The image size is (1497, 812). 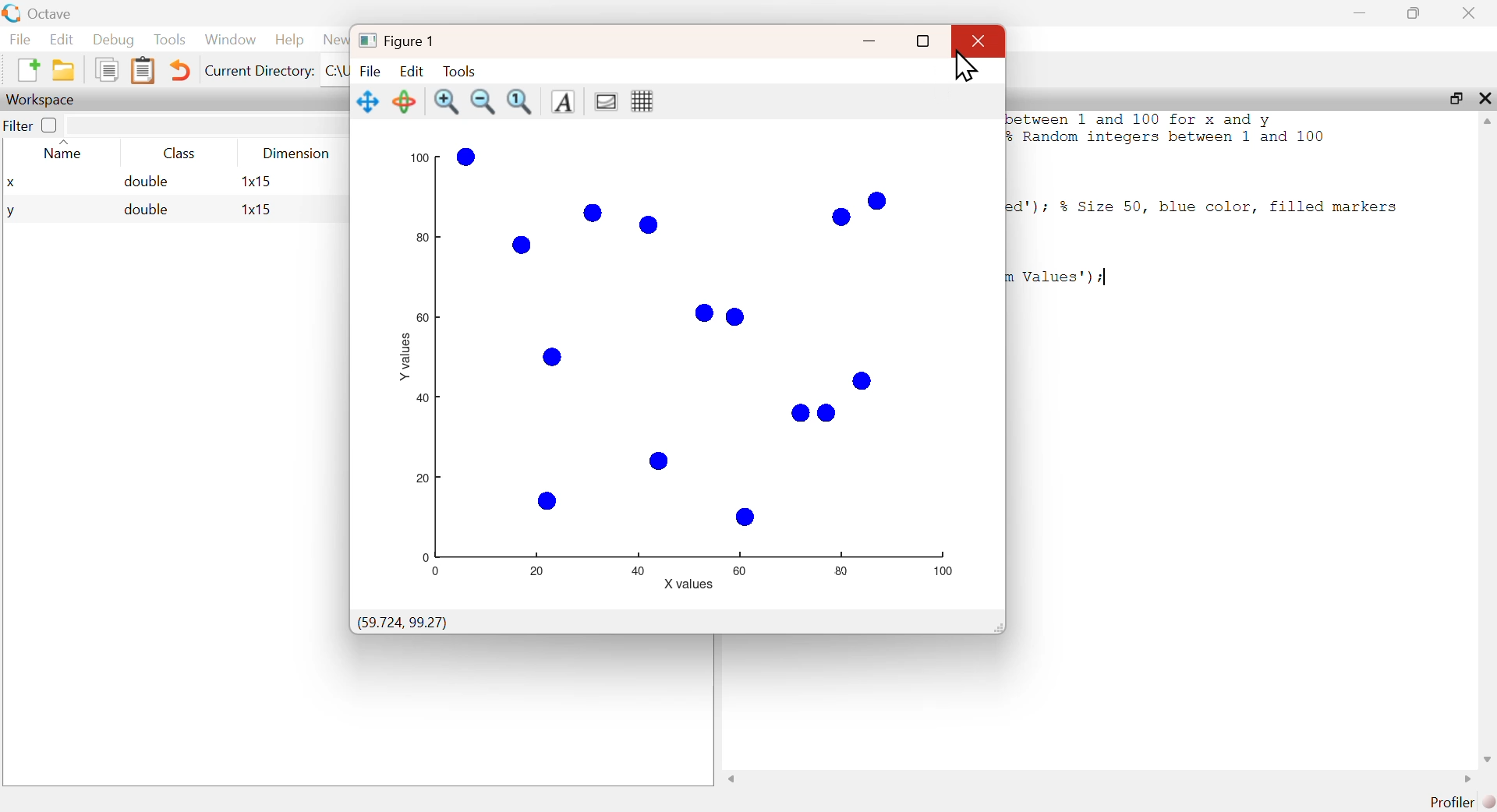 I want to click on Text, so click(x=562, y=102).